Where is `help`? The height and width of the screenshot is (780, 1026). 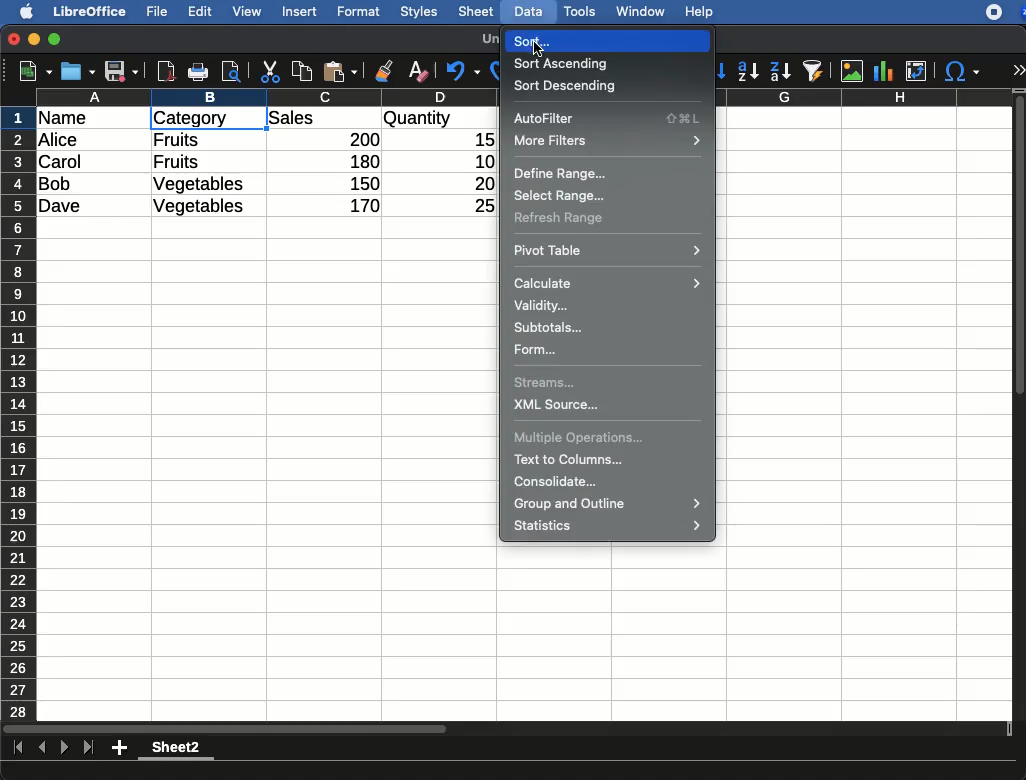
help is located at coordinates (700, 13).